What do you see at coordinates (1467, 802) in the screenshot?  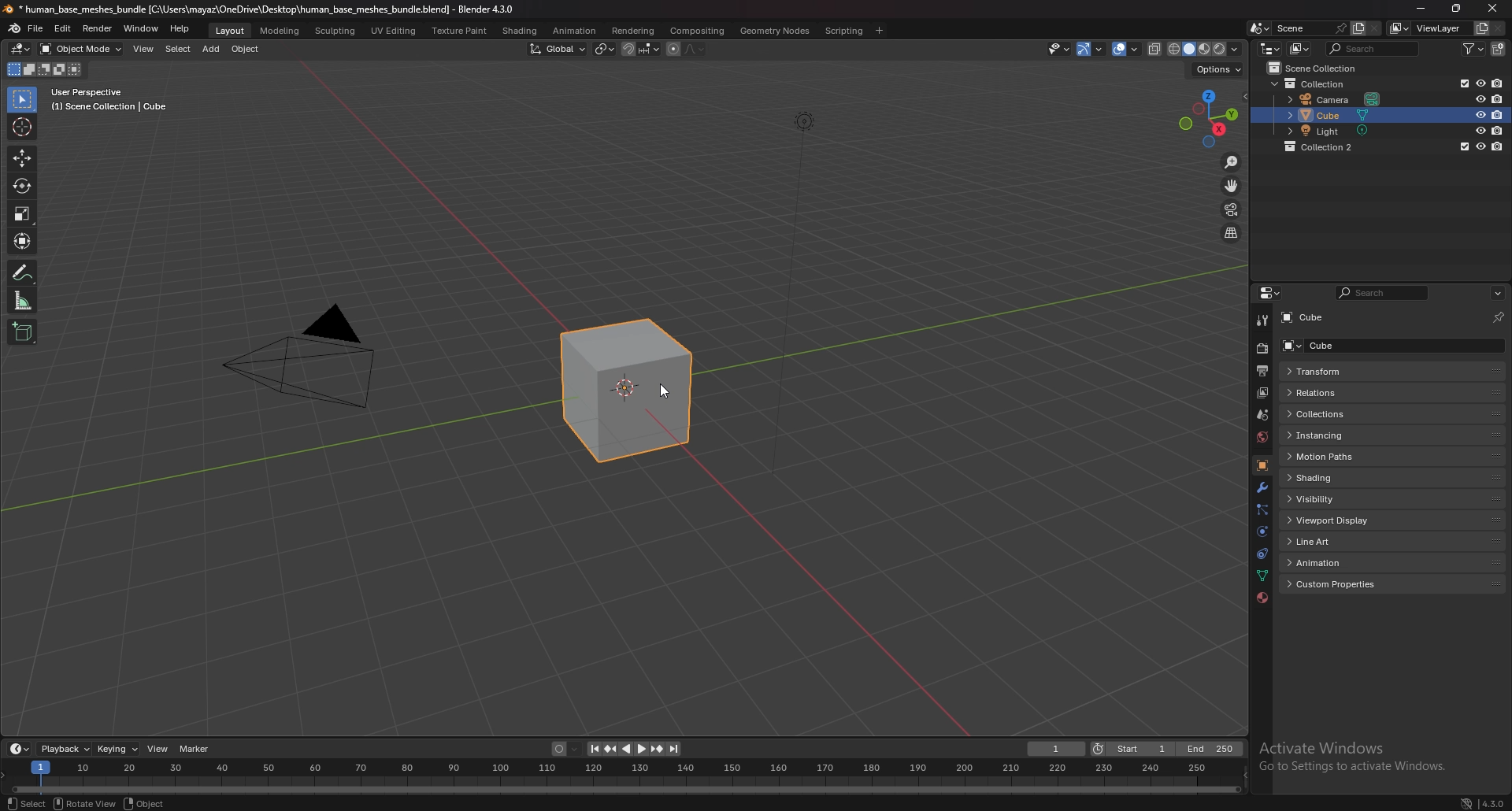 I see `network` at bounding box center [1467, 802].